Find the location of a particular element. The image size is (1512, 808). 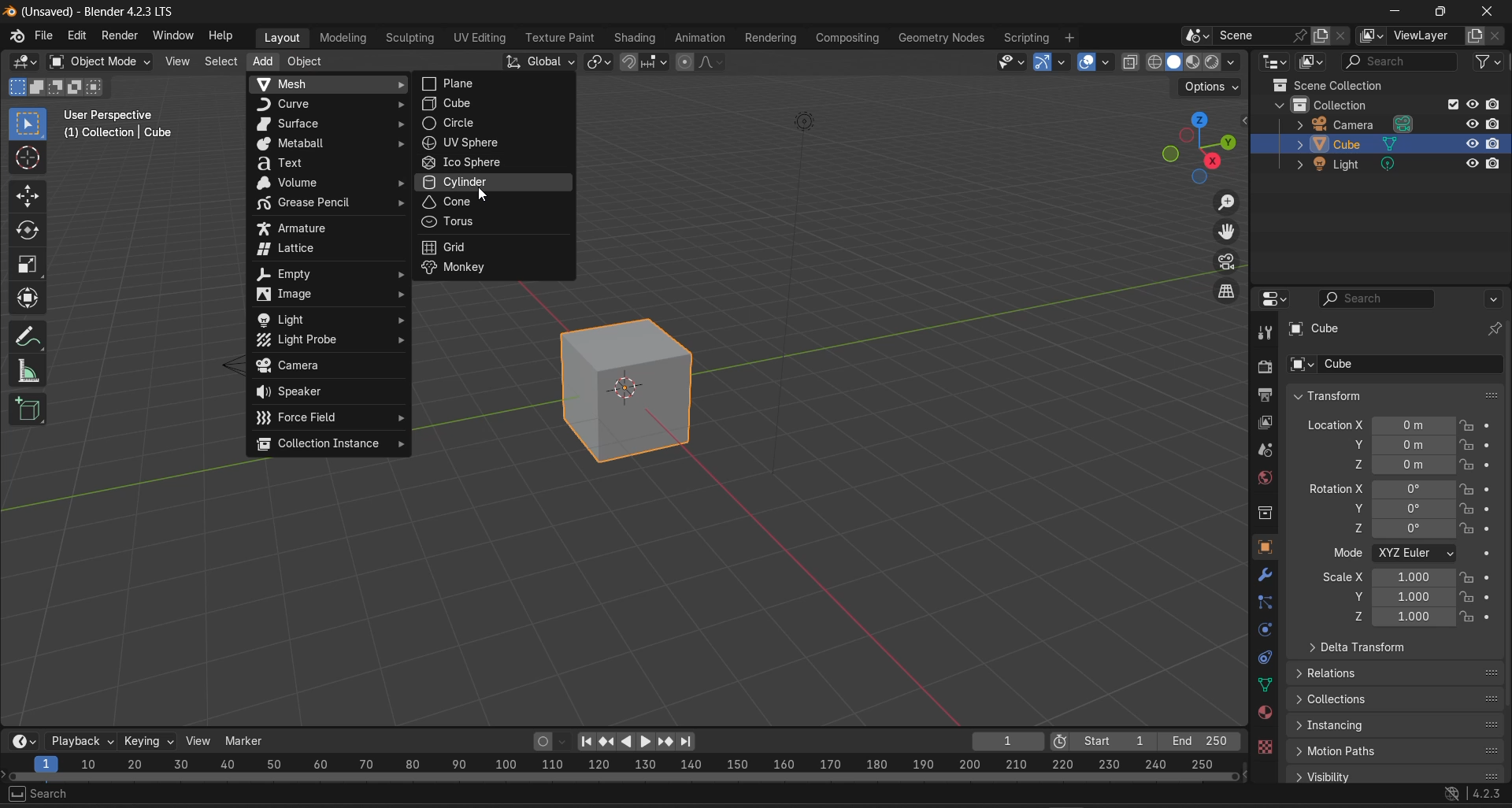

display mode is located at coordinates (1311, 62).